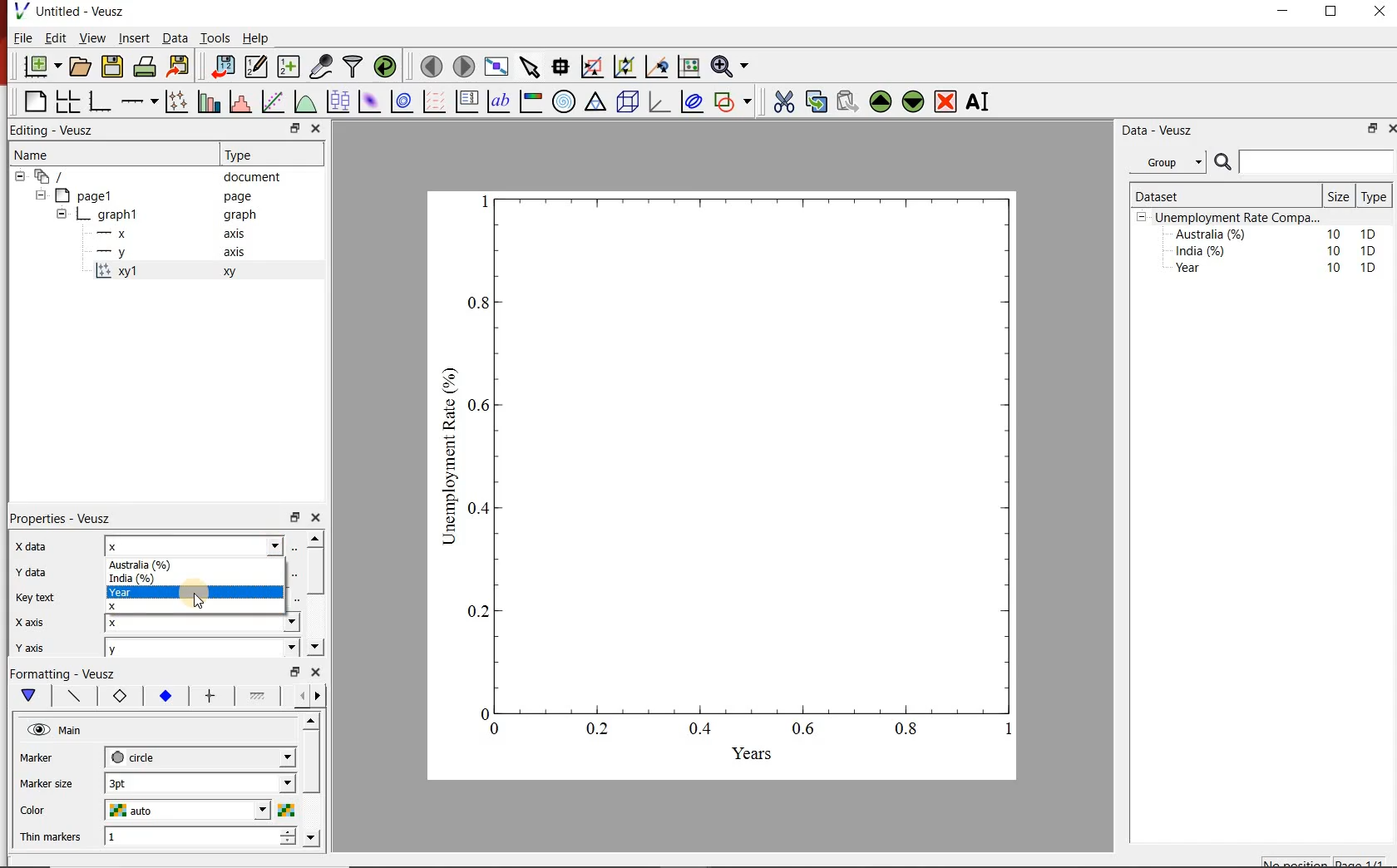 The height and width of the screenshot is (868, 1397). Describe the element at coordinates (531, 102) in the screenshot. I see `image color bar` at that location.